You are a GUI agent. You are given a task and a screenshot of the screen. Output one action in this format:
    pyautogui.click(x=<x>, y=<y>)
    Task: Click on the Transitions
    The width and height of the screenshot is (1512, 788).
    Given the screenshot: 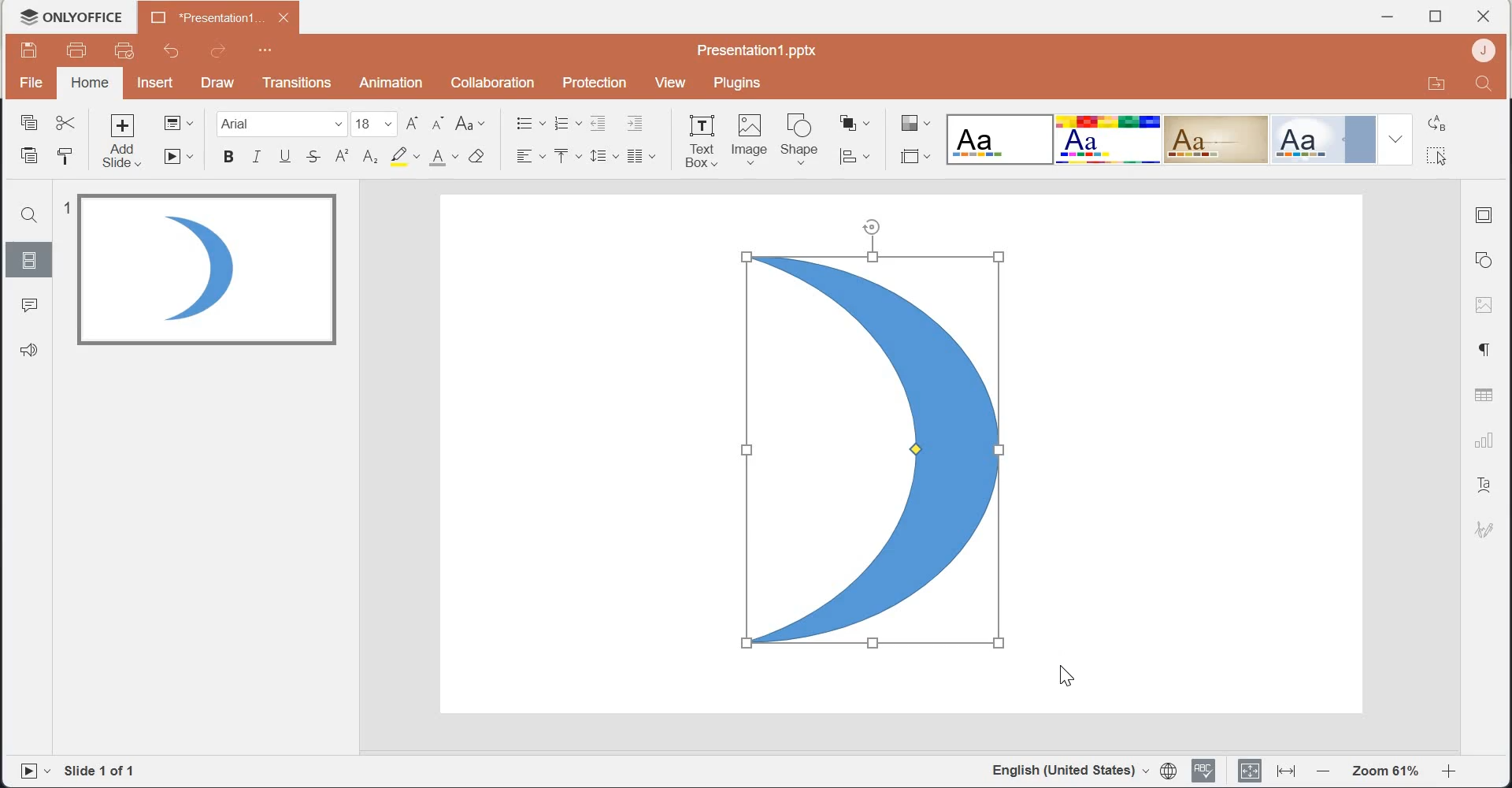 What is the action you would take?
    pyautogui.click(x=295, y=83)
    